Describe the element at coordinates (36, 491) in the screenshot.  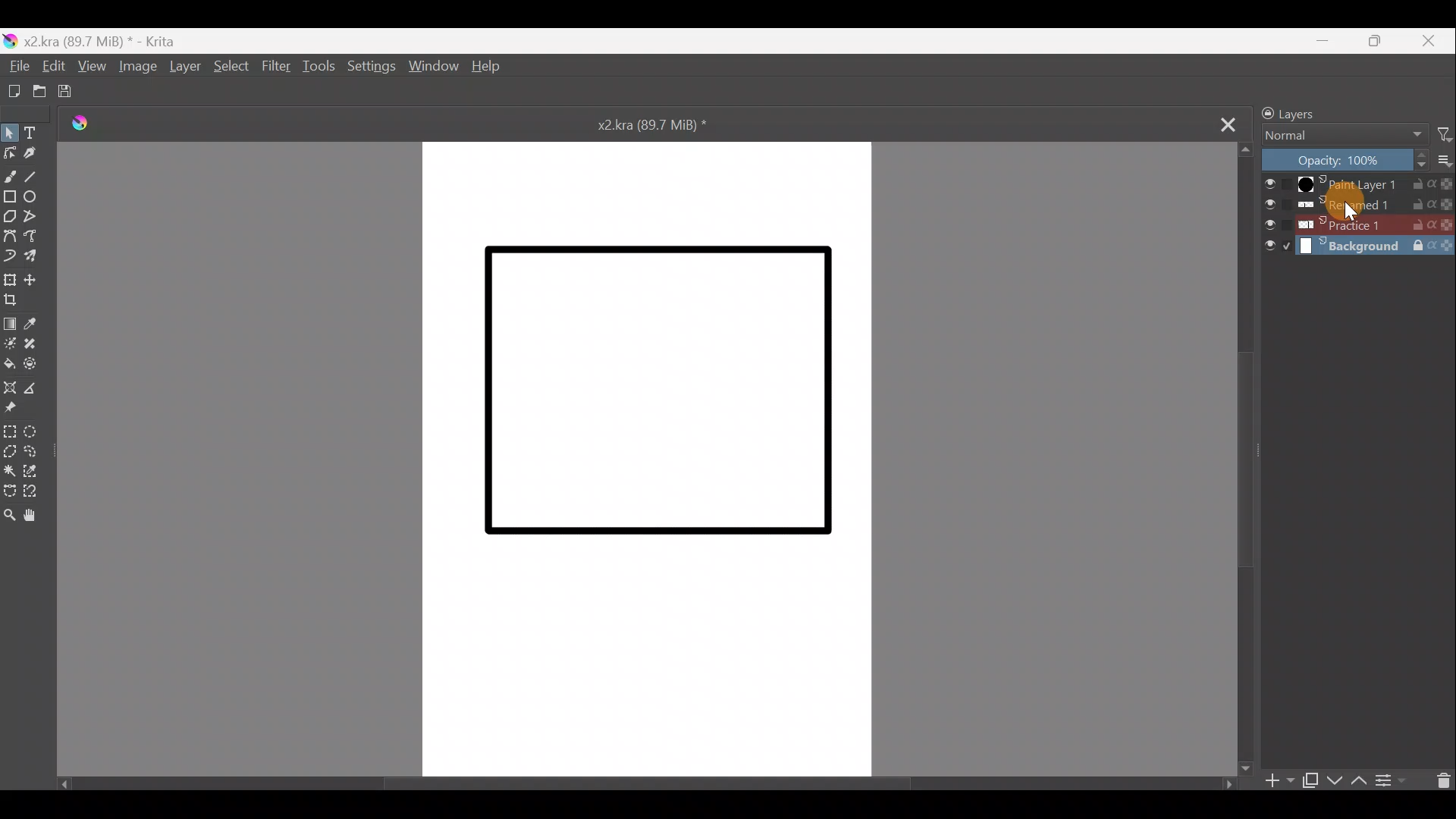
I see `Magnetic curve selection tool` at that location.